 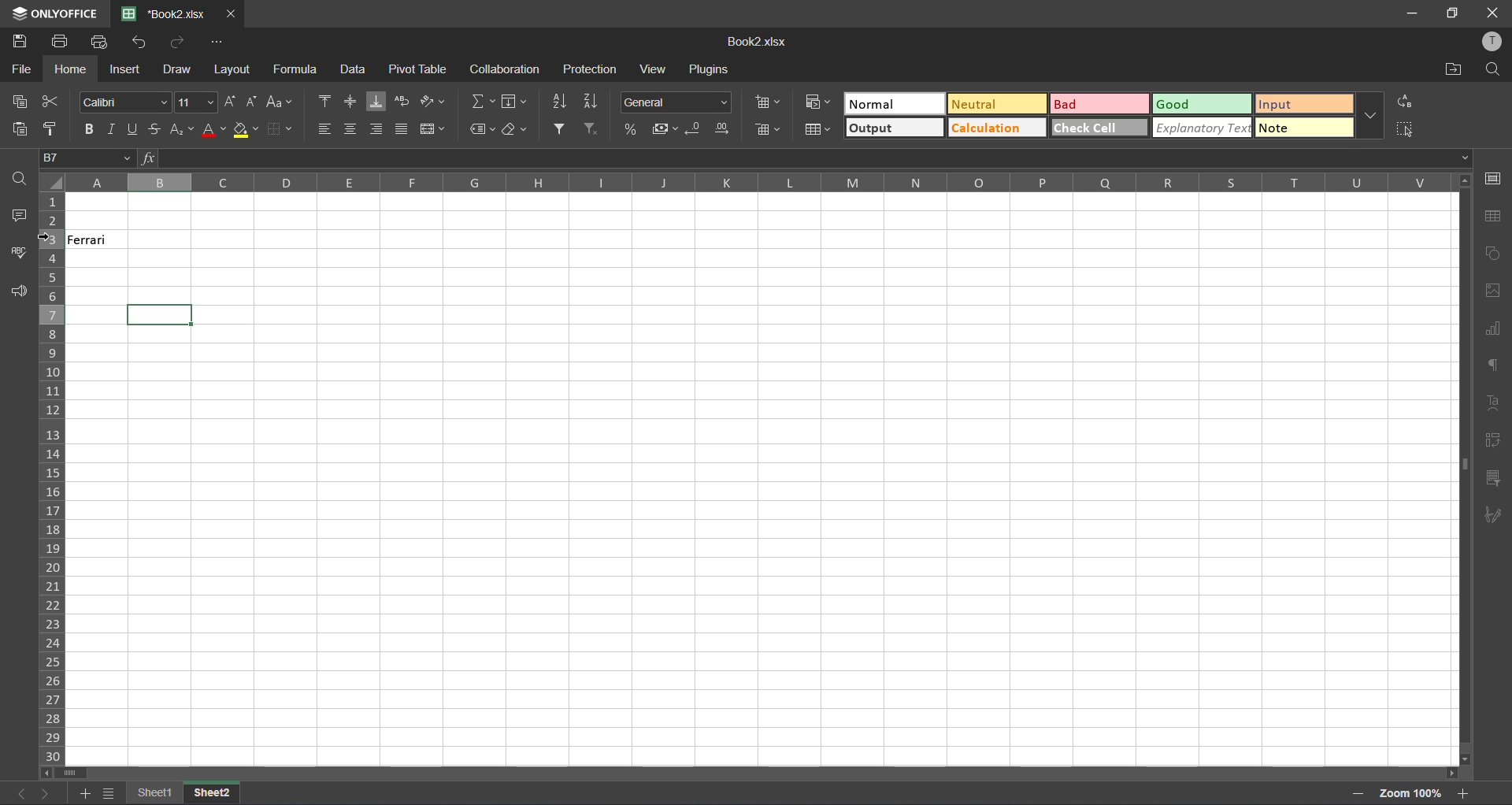 What do you see at coordinates (22, 292) in the screenshot?
I see `feedback` at bounding box center [22, 292].